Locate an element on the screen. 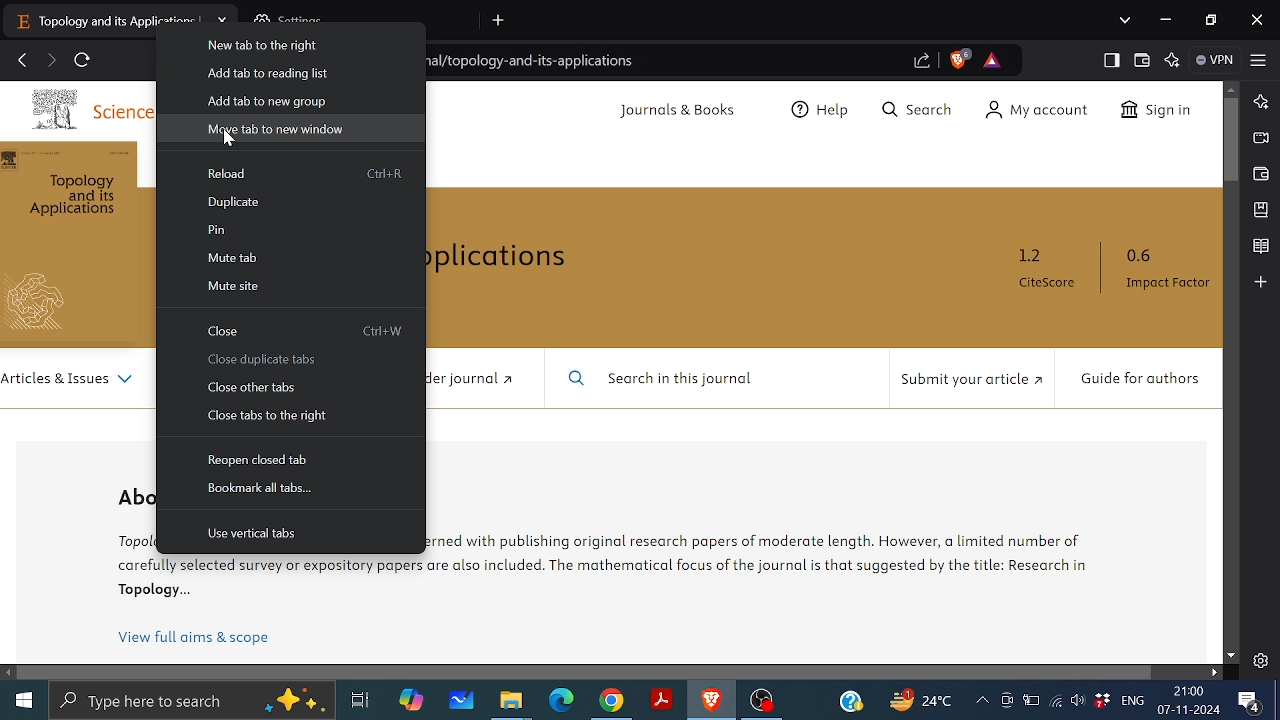 The height and width of the screenshot is (720, 1280). Articles & Issues is located at coordinates (71, 380).